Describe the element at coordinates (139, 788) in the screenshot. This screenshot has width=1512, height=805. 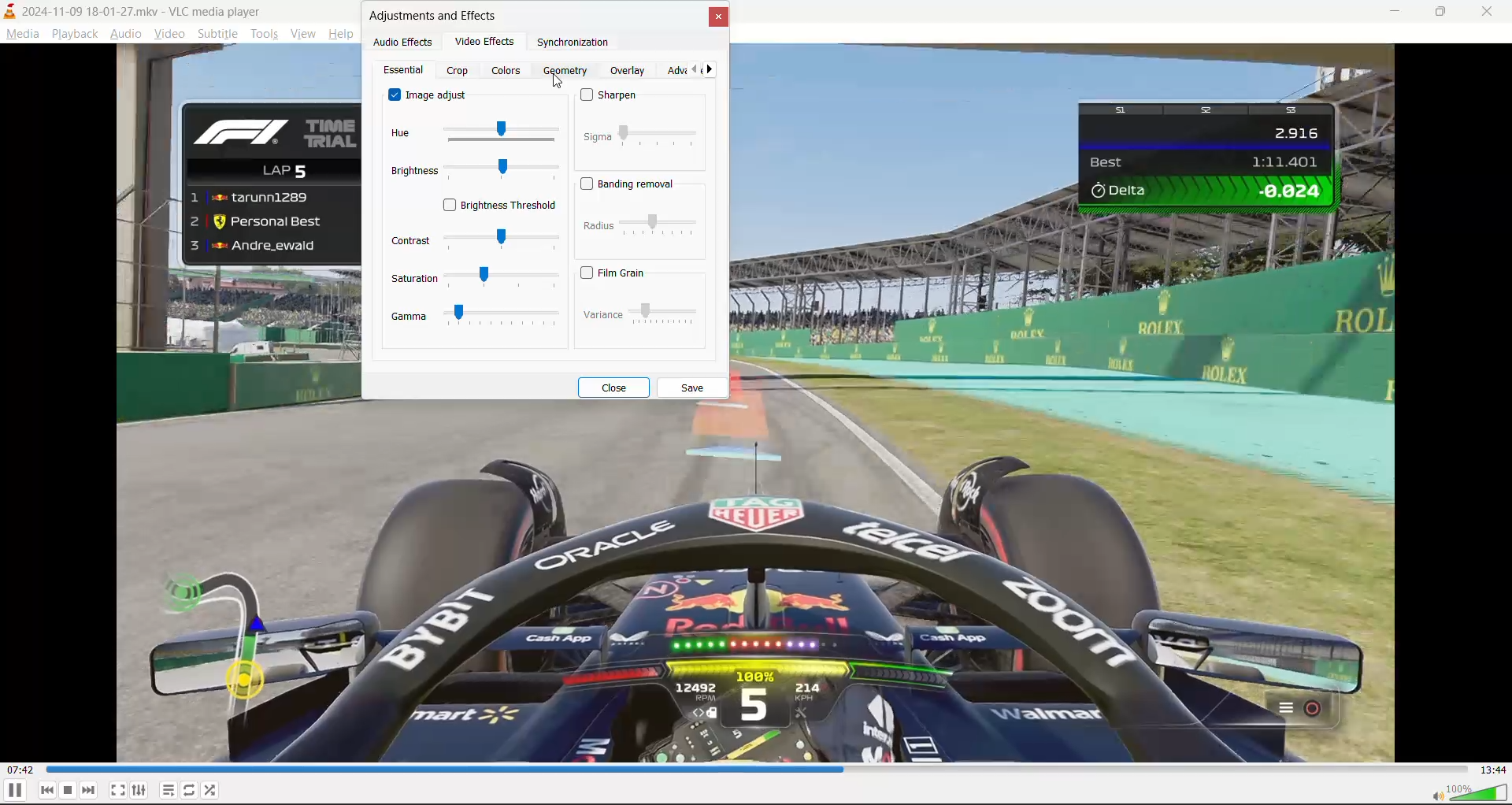
I see `settings` at that location.